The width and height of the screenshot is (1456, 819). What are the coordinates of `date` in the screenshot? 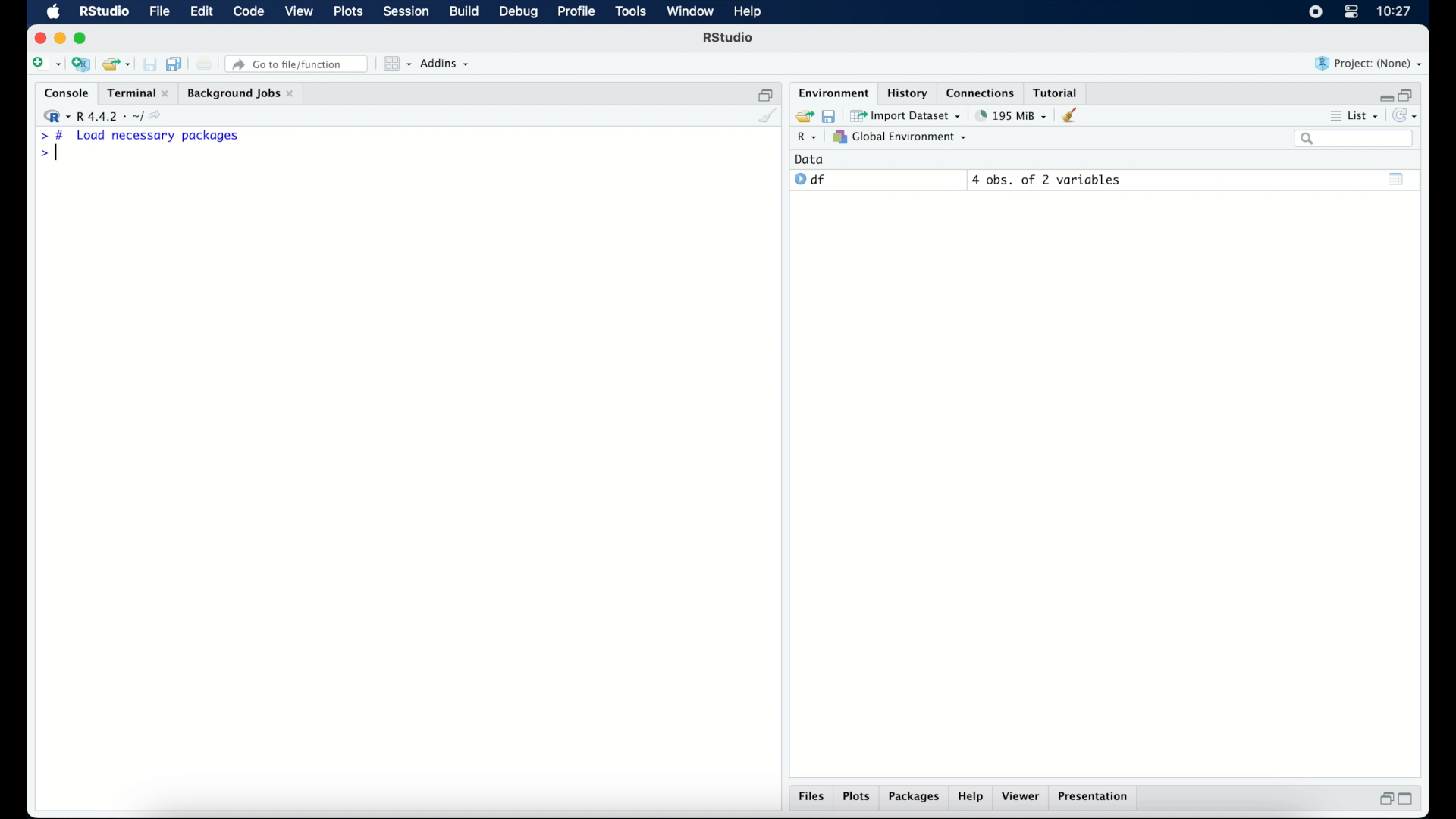 It's located at (810, 158).